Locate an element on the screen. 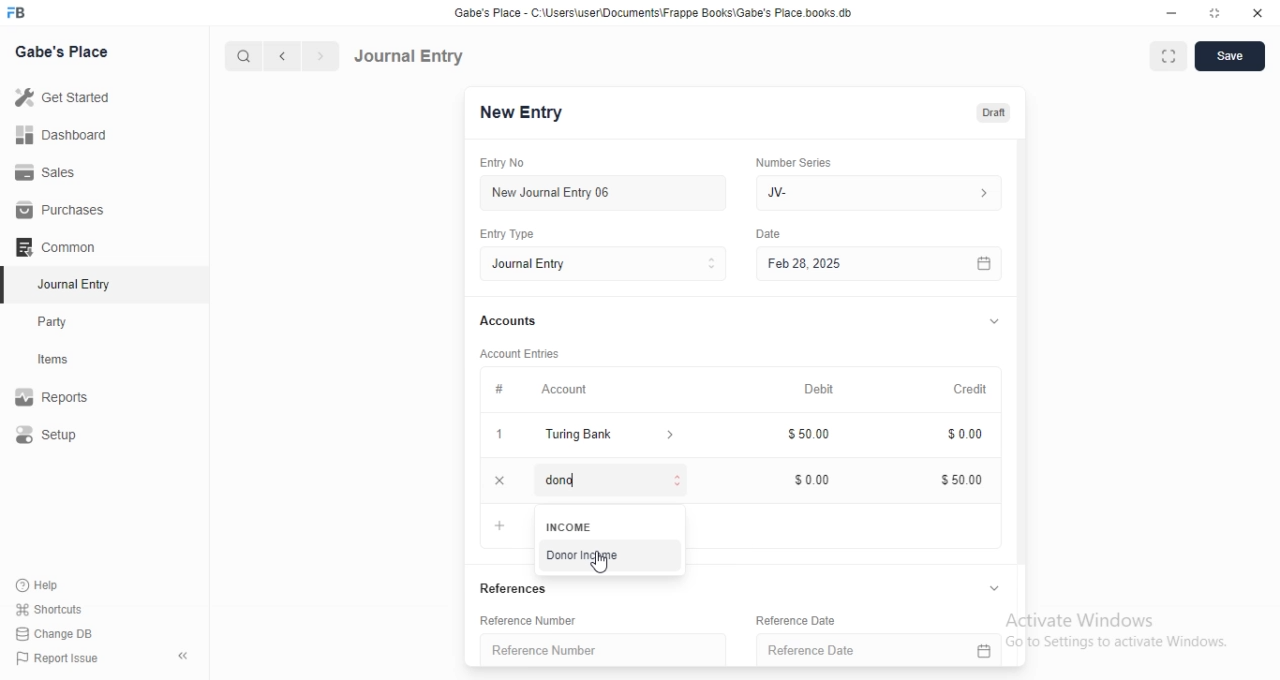 The height and width of the screenshot is (680, 1280). ‘Donor Income is located at coordinates (610, 558).